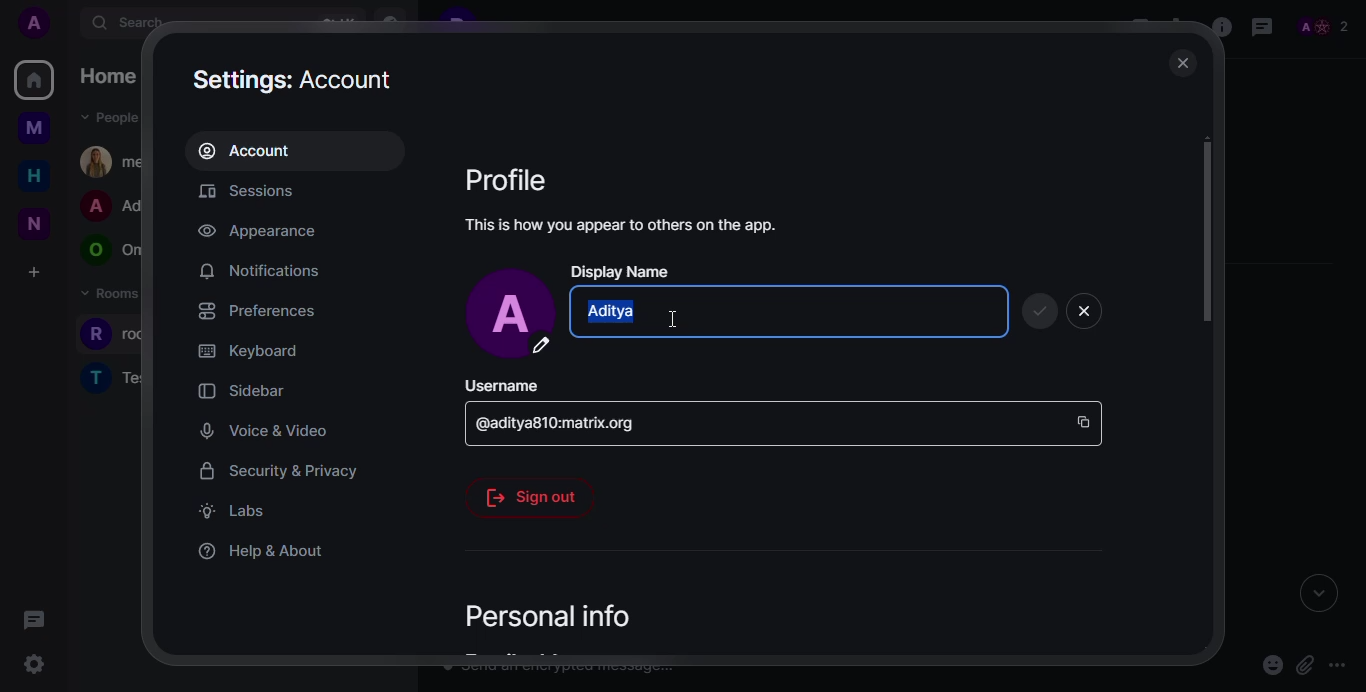 The image size is (1366, 692). What do you see at coordinates (501, 385) in the screenshot?
I see `username` at bounding box center [501, 385].